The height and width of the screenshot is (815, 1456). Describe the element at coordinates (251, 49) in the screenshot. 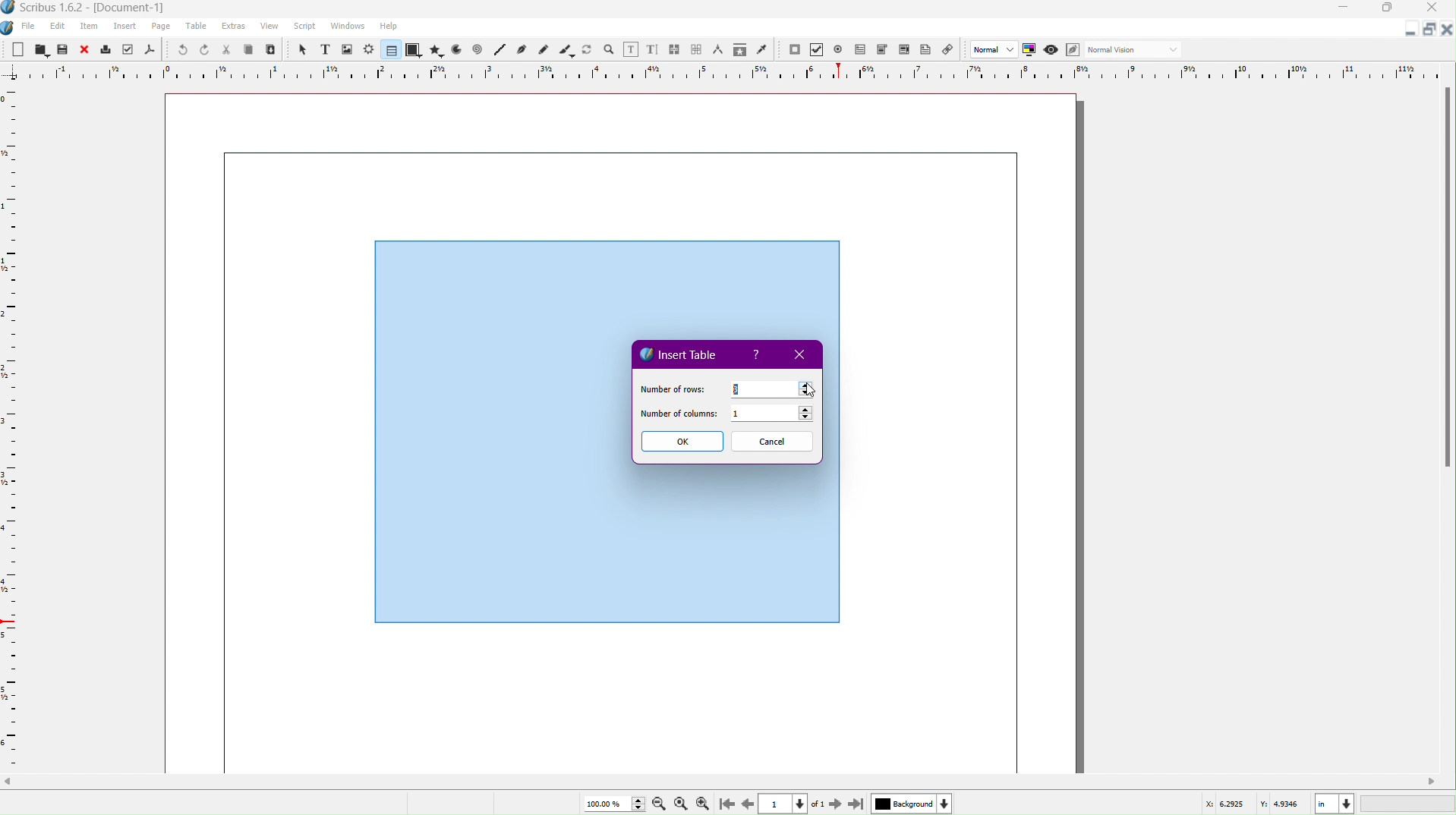

I see `Copy` at that location.